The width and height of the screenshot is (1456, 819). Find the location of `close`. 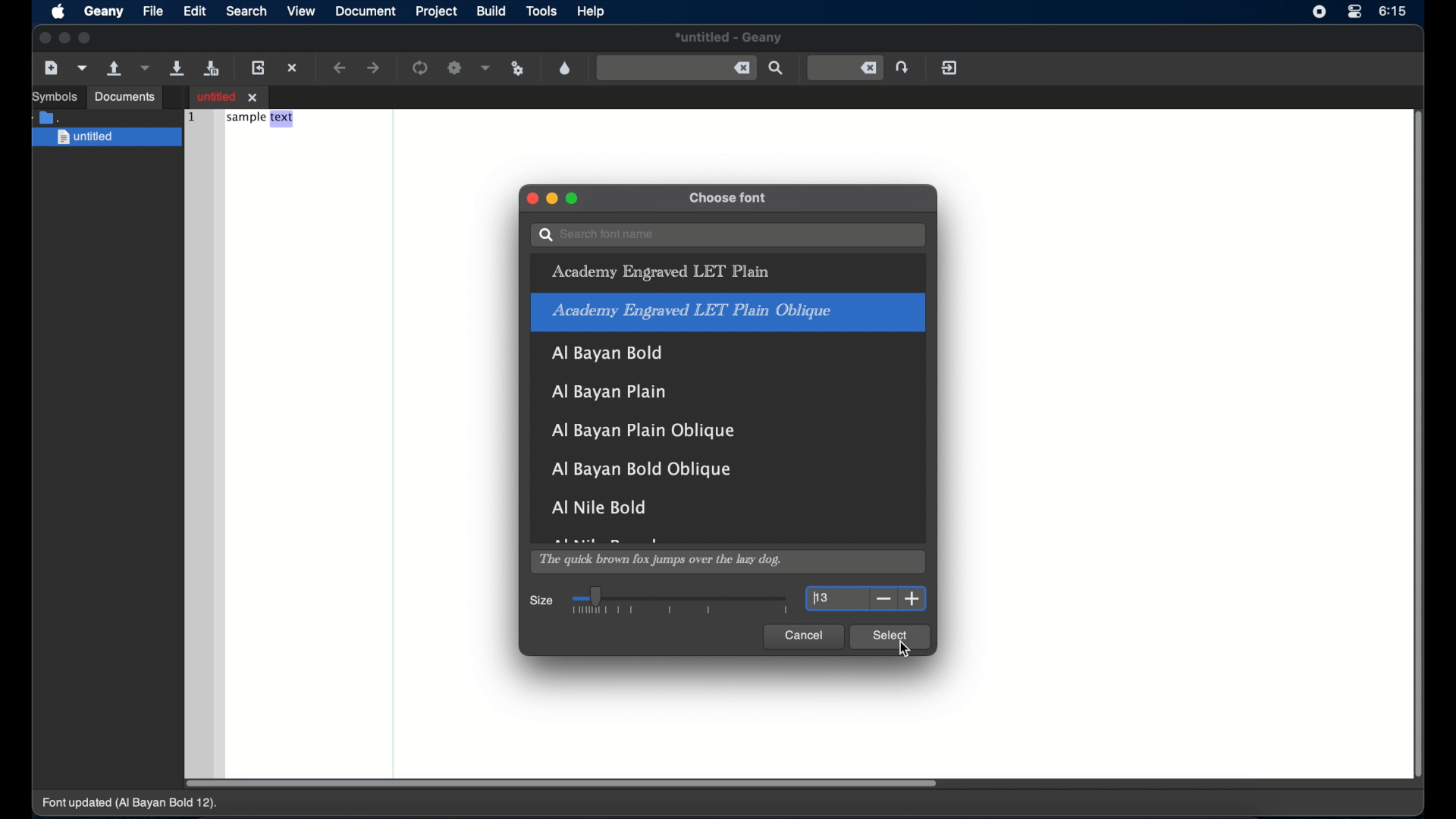

close is located at coordinates (43, 38).